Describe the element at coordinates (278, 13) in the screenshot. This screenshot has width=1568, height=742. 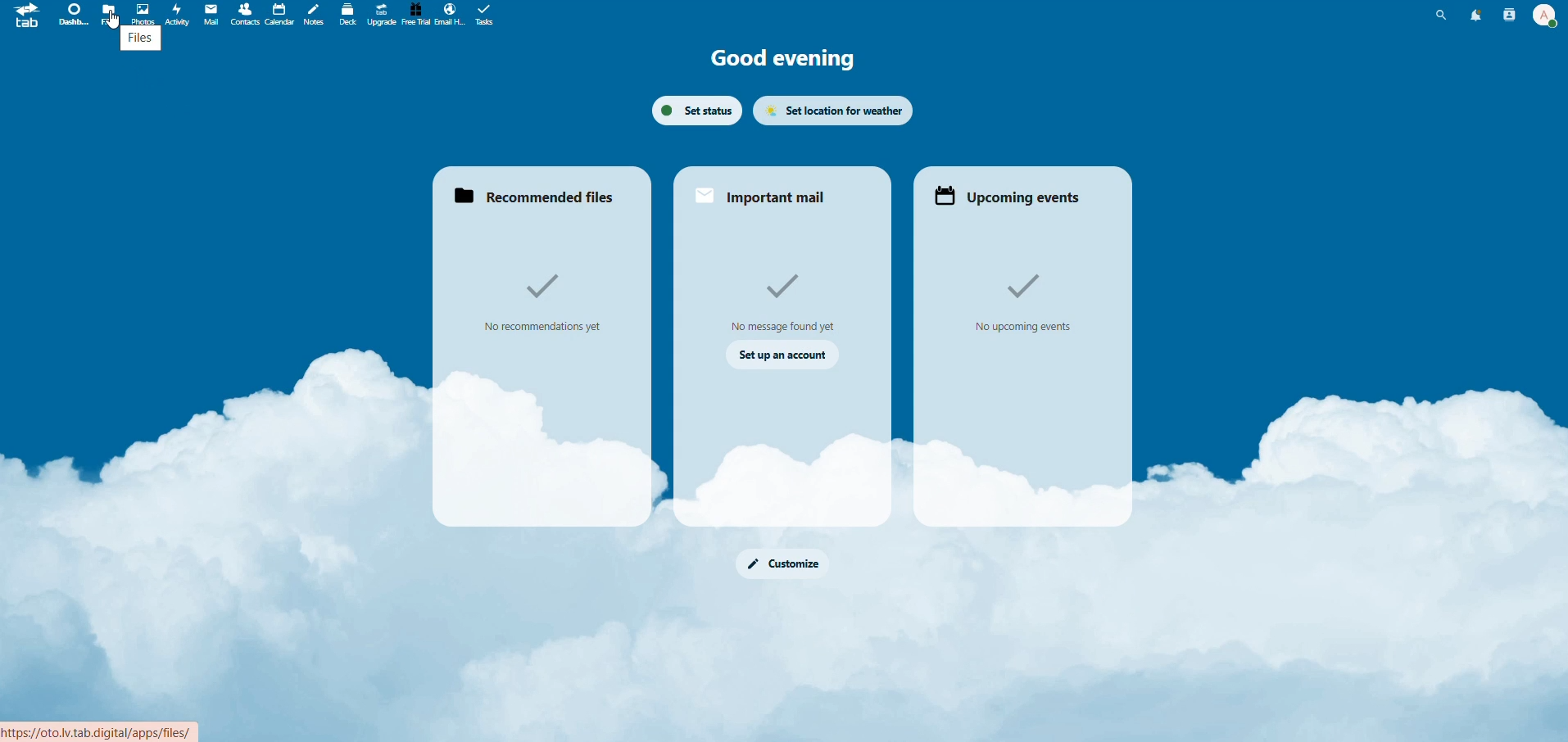
I see `Calendar` at that location.